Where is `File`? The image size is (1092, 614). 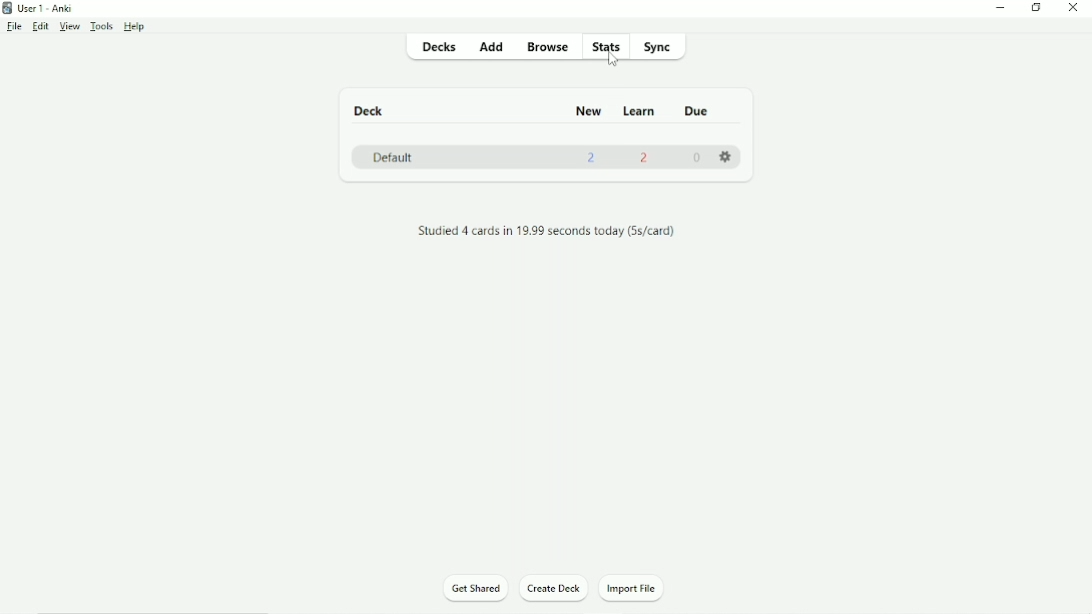 File is located at coordinates (13, 27).